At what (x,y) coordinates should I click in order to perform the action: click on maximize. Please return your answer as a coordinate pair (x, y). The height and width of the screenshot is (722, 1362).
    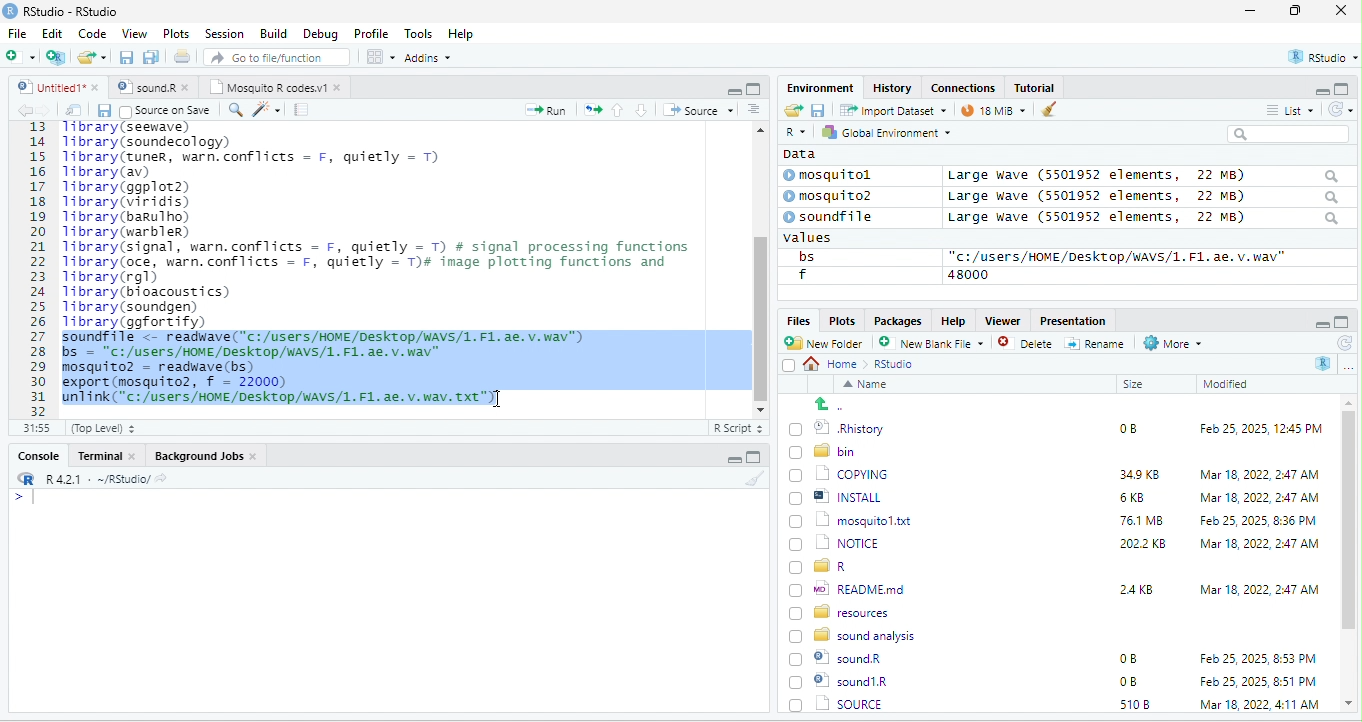
    Looking at the image, I should click on (1299, 12).